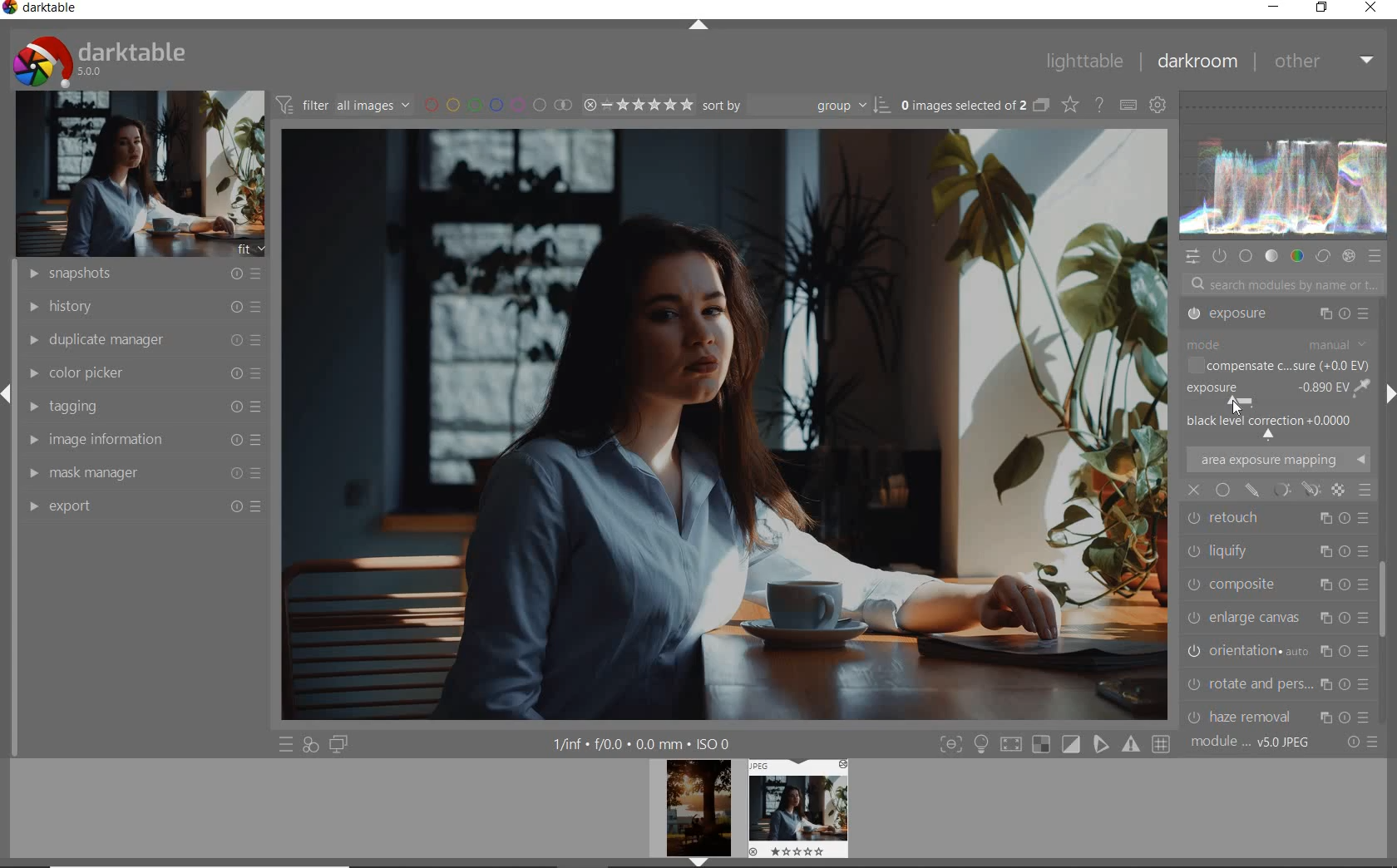 This screenshot has width=1397, height=868. What do you see at coordinates (1296, 257) in the screenshot?
I see `COLOR` at bounding box center [1296, 257].